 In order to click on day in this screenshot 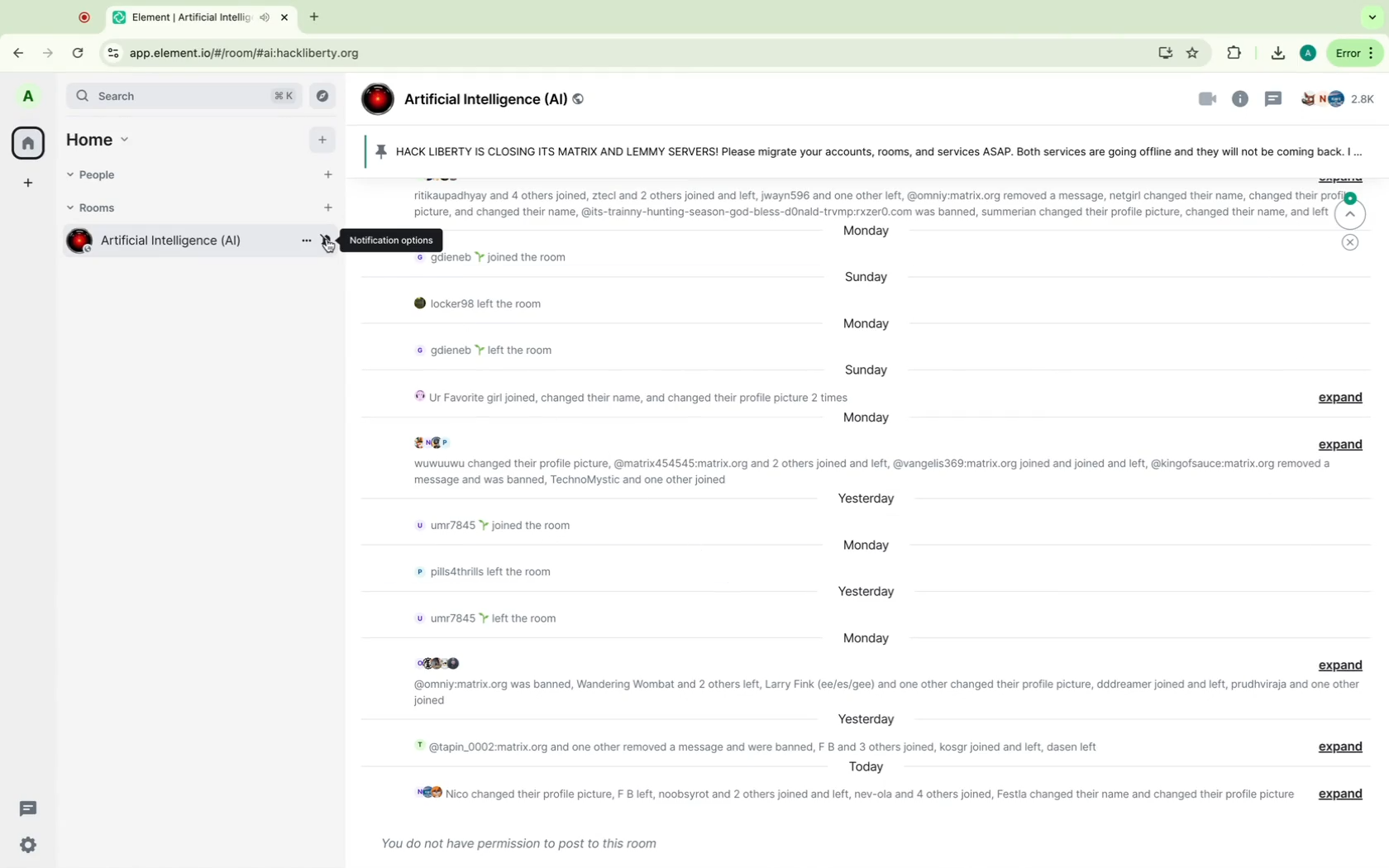, I will do `click(865, 637)`.